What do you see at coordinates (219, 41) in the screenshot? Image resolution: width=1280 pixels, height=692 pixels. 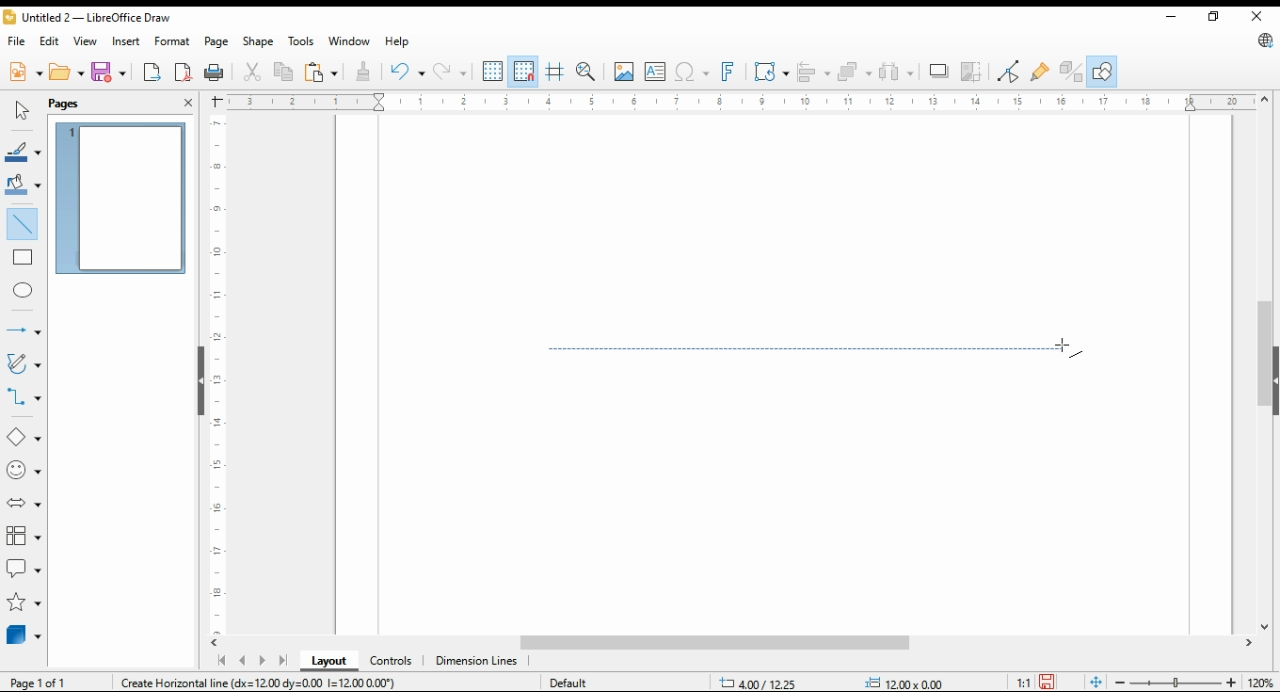 I see `page` at bounding box center [219, 41].